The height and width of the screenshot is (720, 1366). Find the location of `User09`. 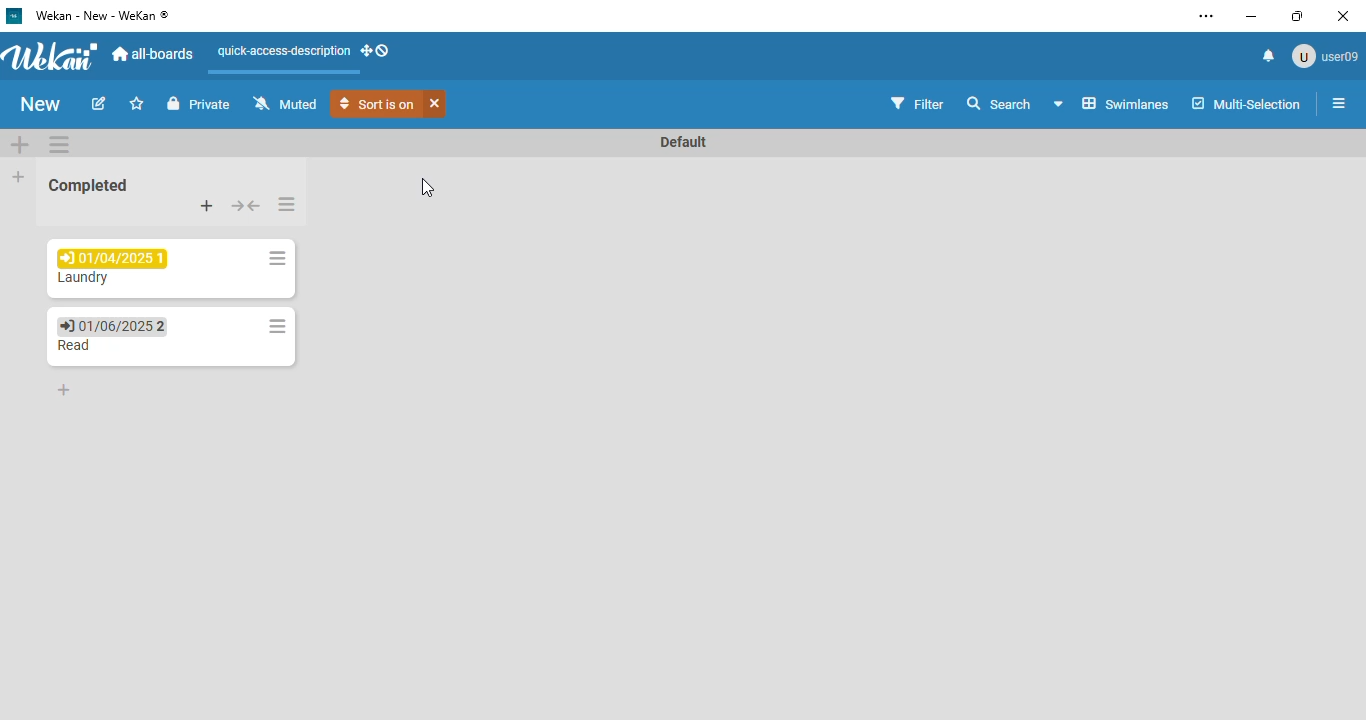

User09 is located at coordinates (1324, 56).